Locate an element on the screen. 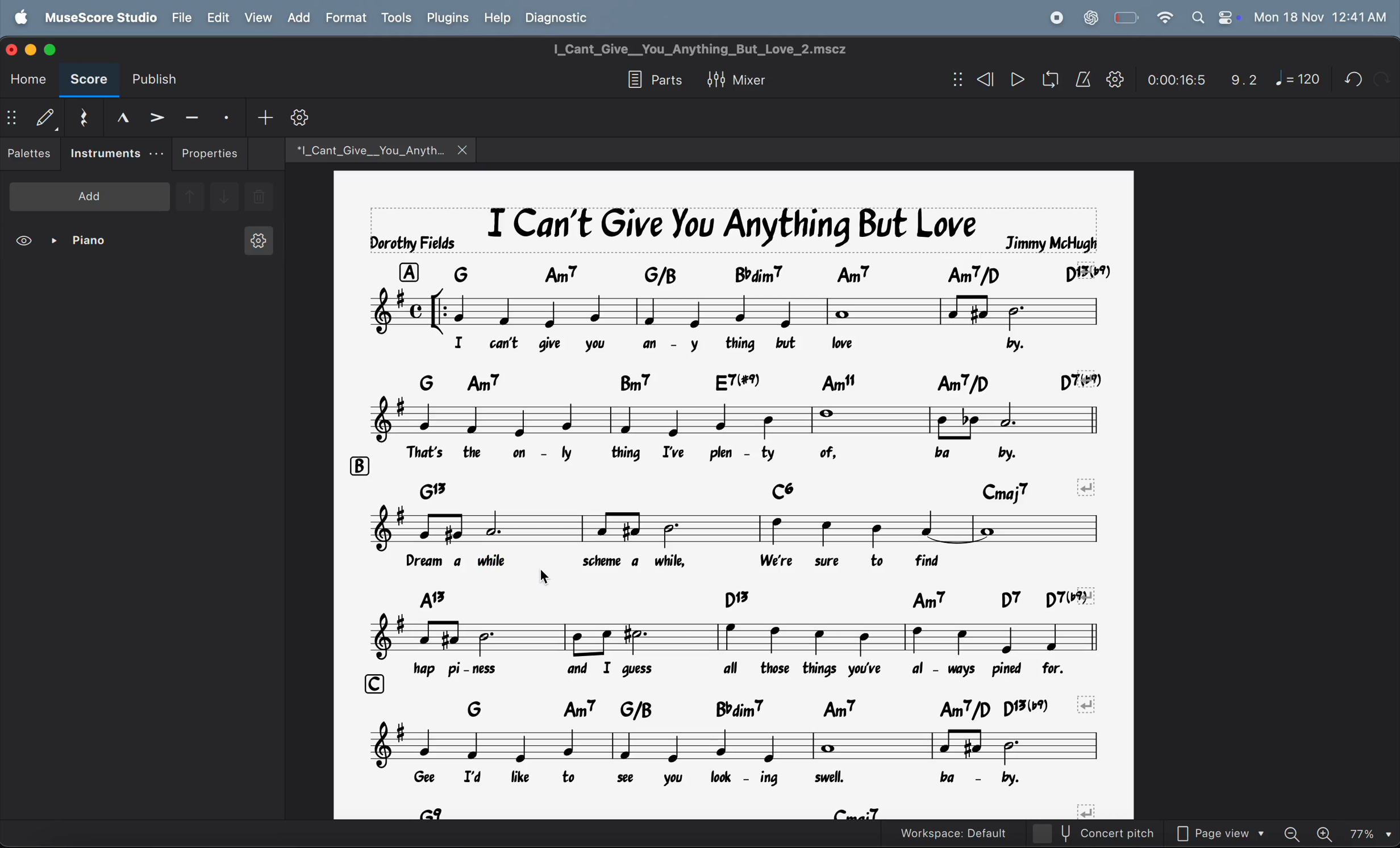 The image size is (1400, 848). music title is located at coordinates (732, 230).